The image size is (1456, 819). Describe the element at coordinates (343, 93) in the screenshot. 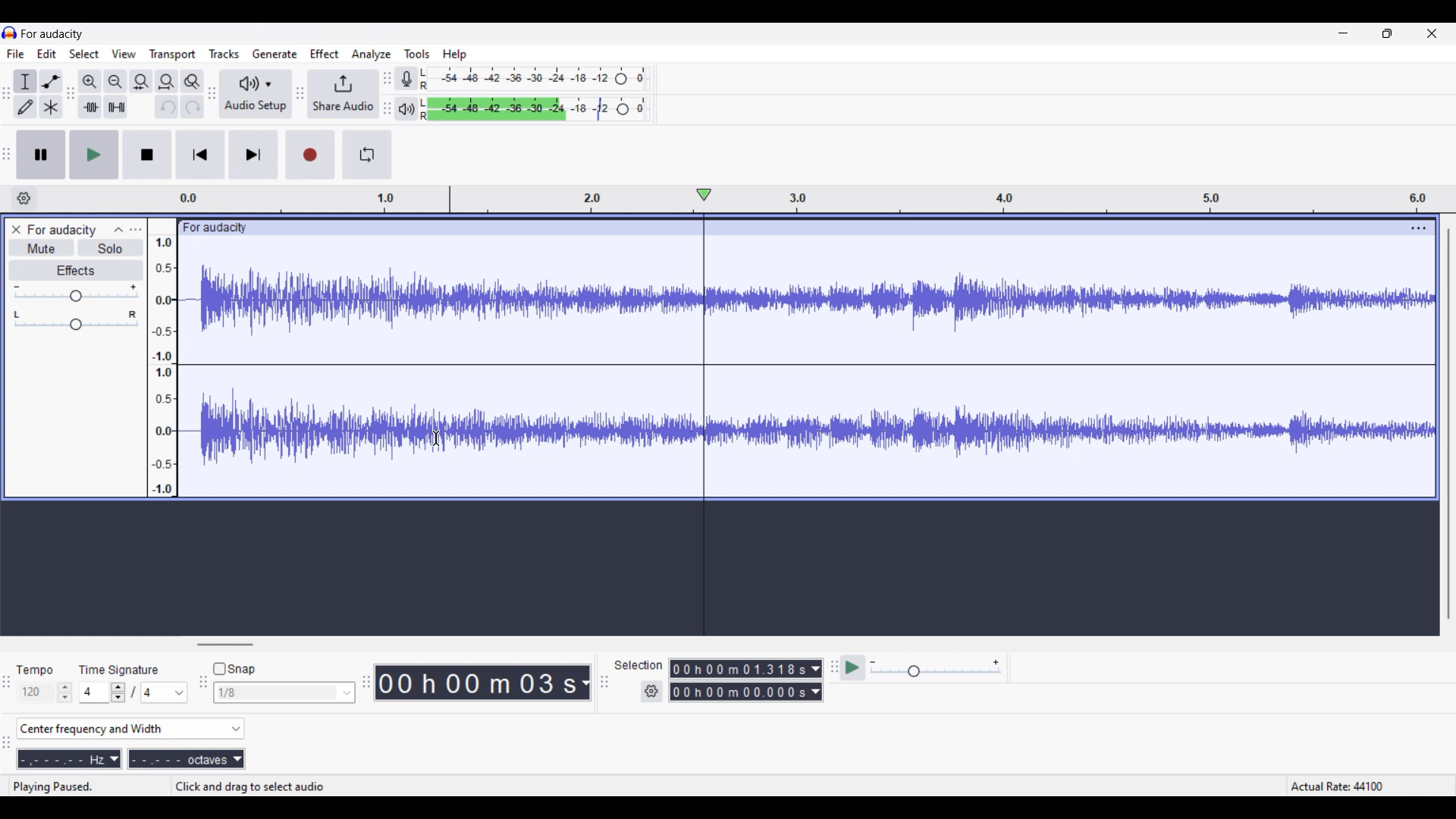

I see `Share audio` at that location.